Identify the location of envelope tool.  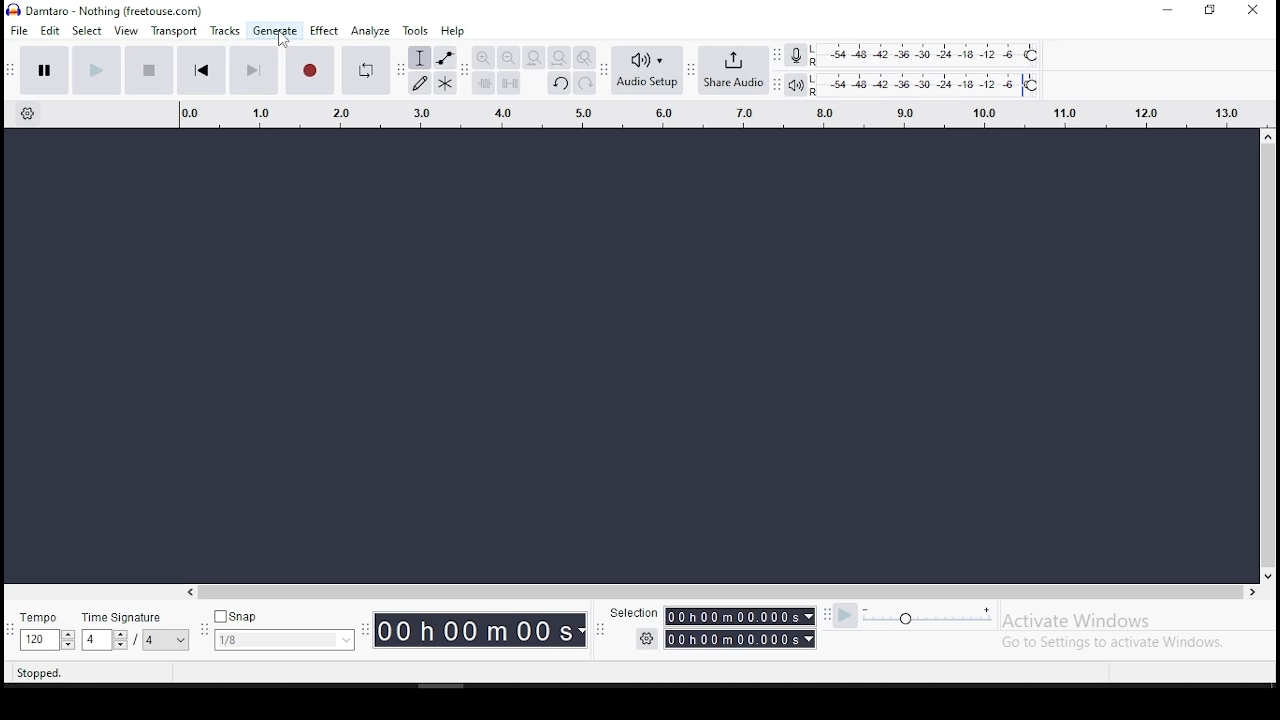
(446, 58).